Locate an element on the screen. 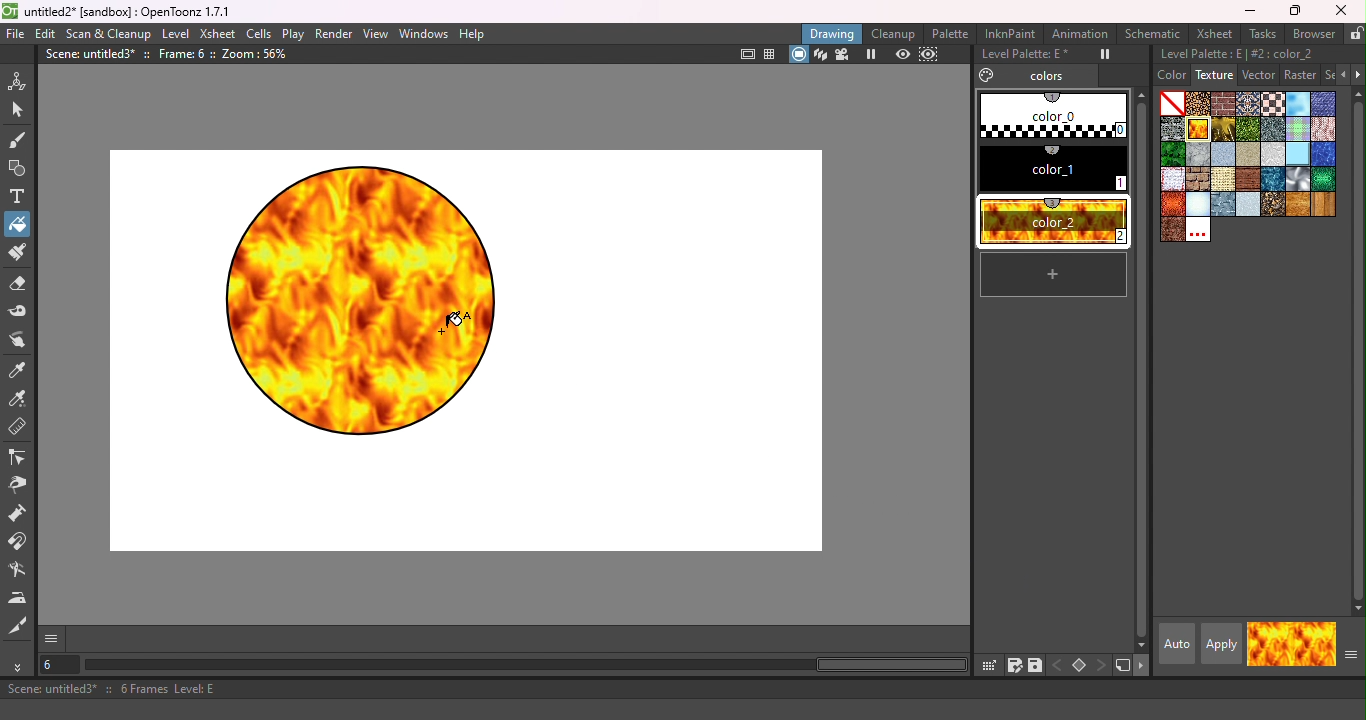  Colors is located at coordinates (1034, 76).